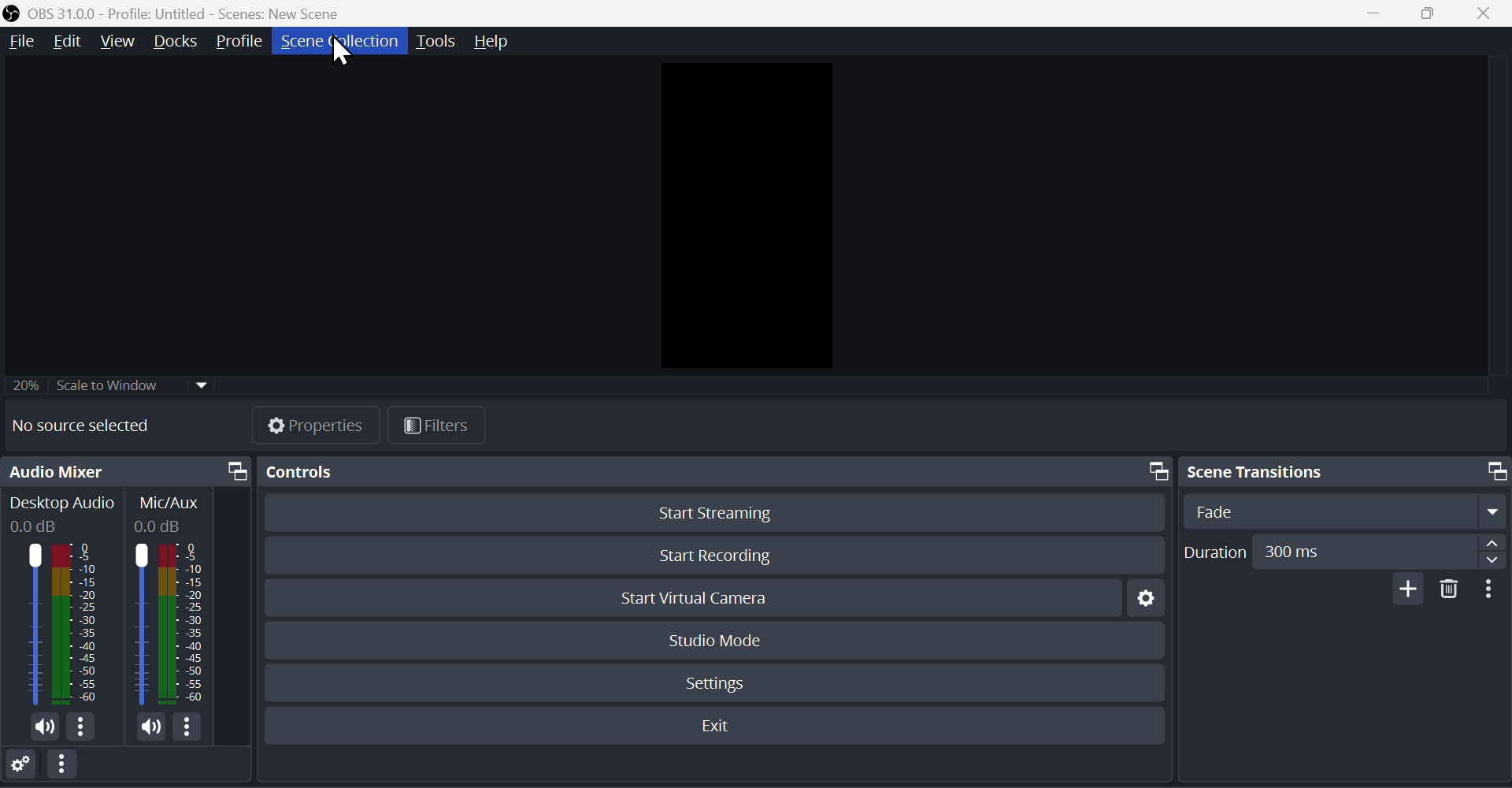  Describe the element at coordinates (174, 513) in the screenshot. I see `Mic/Aux` at that location.